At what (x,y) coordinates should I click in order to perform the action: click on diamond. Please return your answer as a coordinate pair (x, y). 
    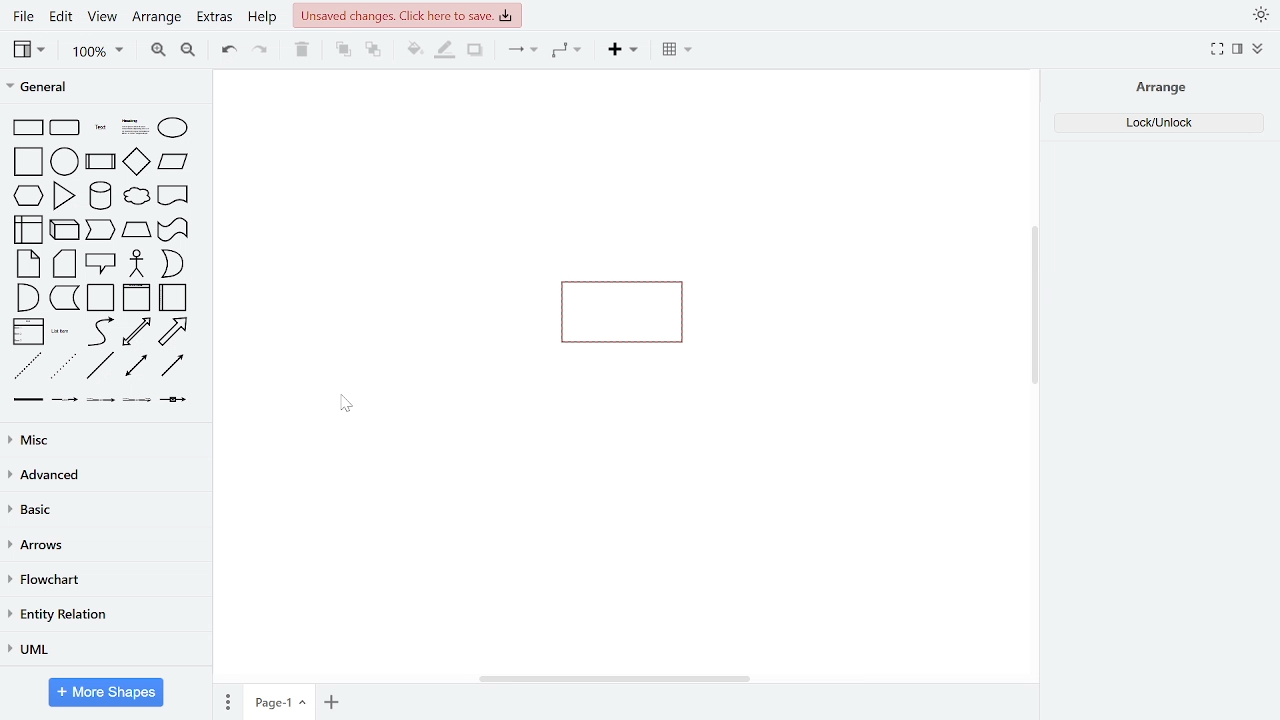
    Looking at the image, I should click on (136, 161).